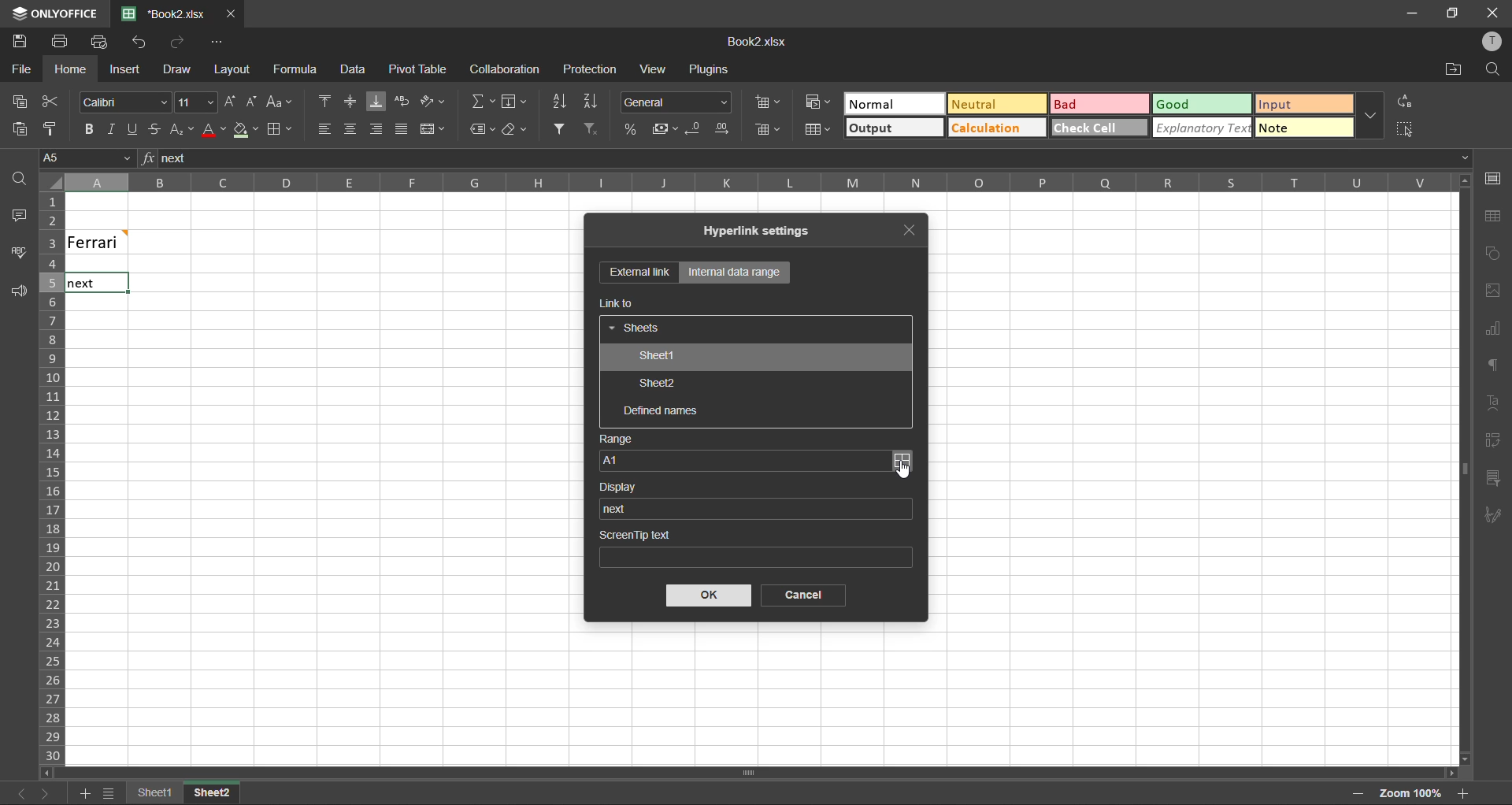 The image size is (1512, 805). Describe the element at coordinates (43, 793) in the screenshot. I see `next` at that location.